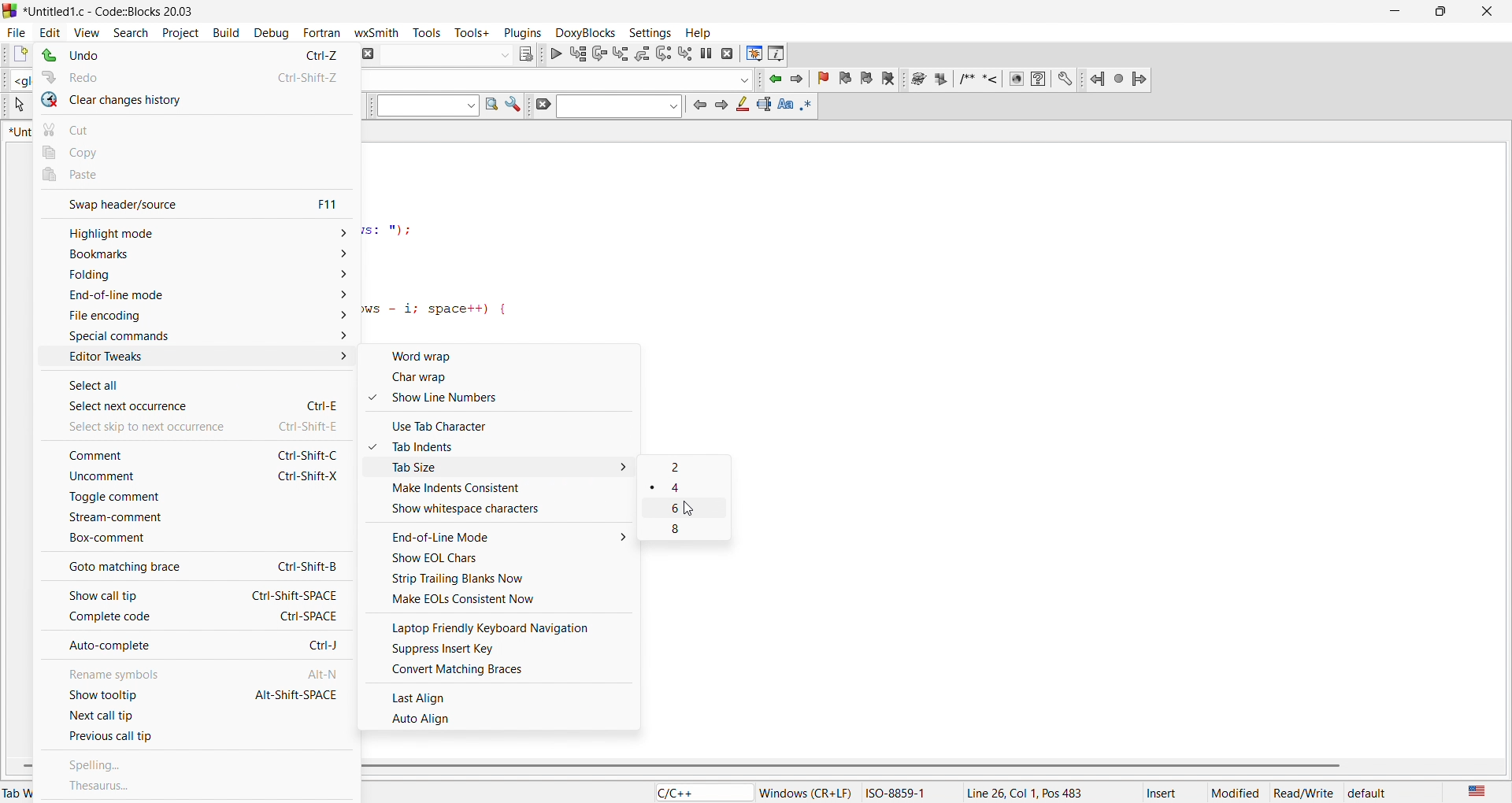 The width and height of the screenshot is (1512, 803). Describe the element at coordinates (135, 454) in the screenshot. I see `comment ` at that location.